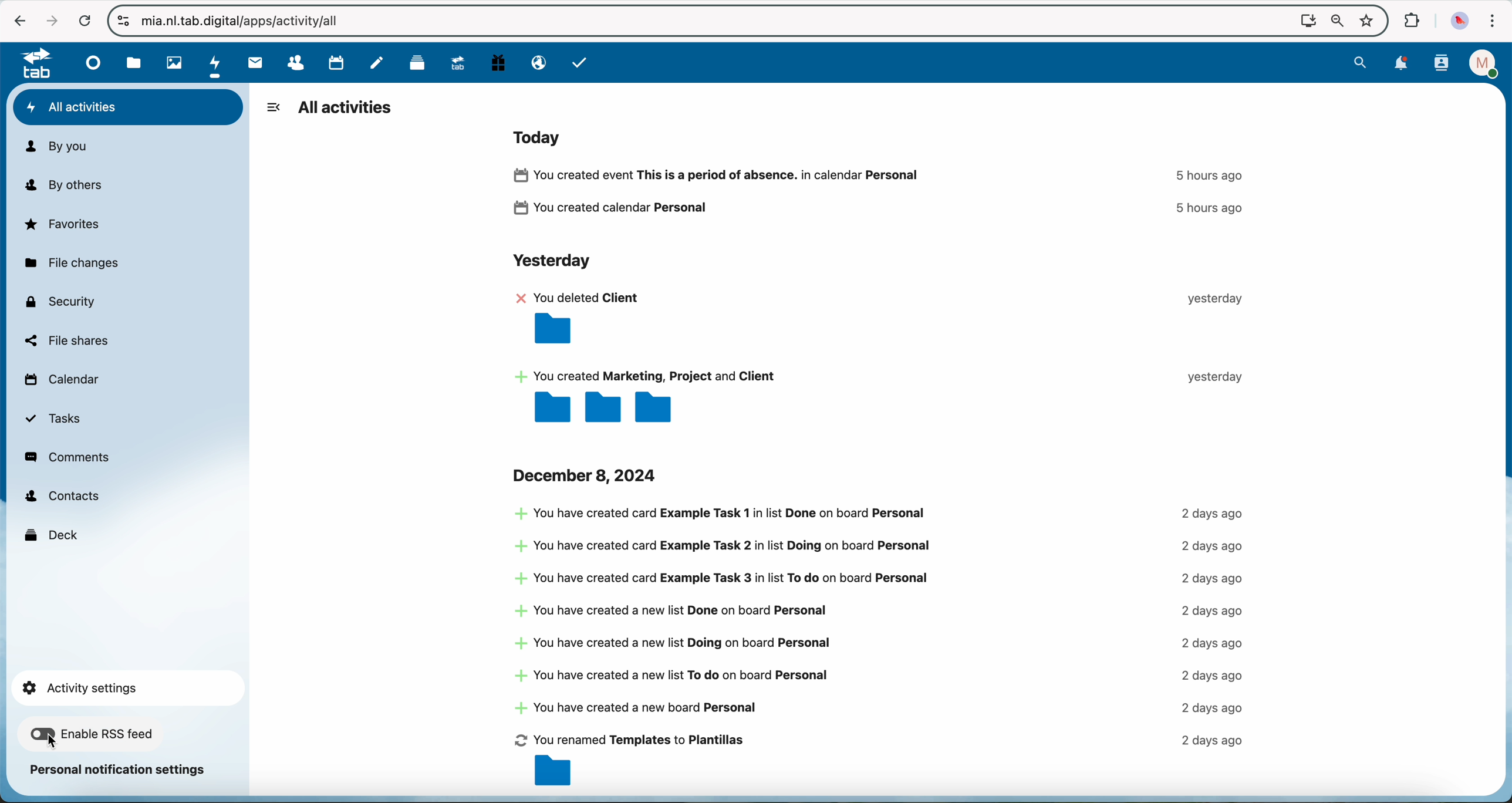  Describe the element at coordinates (253, 63) in the screenshot. I see `mail` at that location.